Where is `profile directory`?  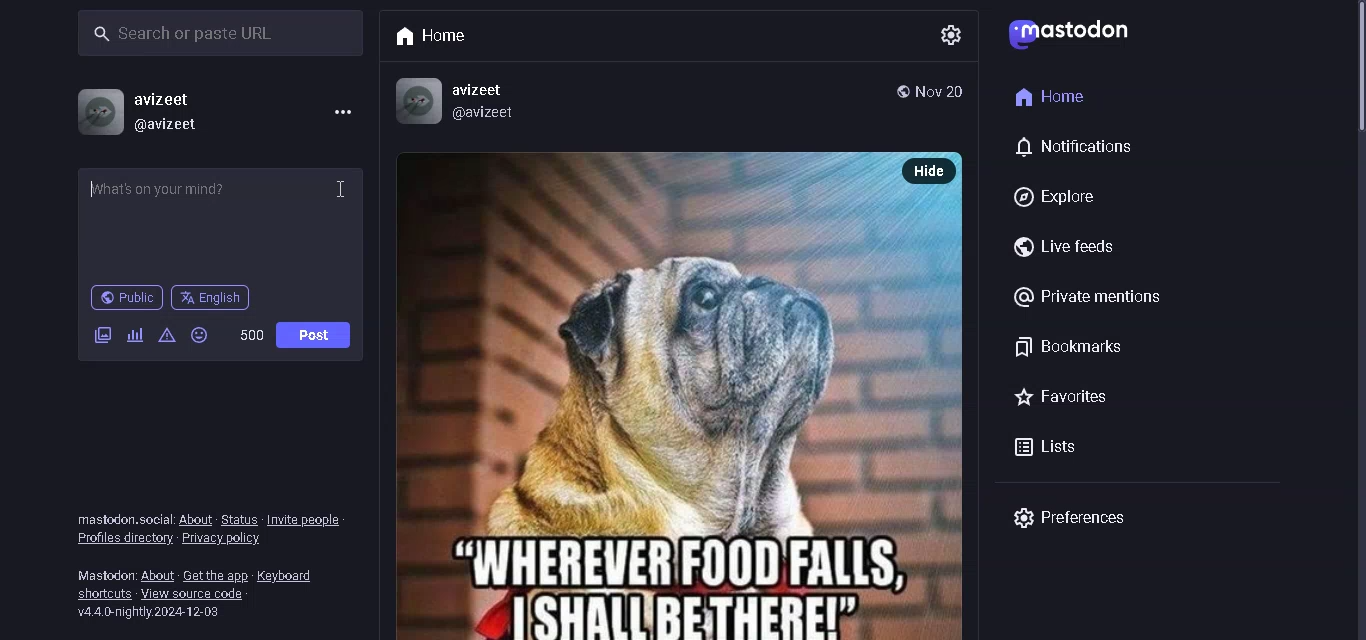
profile directory is located at coordinates (123, 540).